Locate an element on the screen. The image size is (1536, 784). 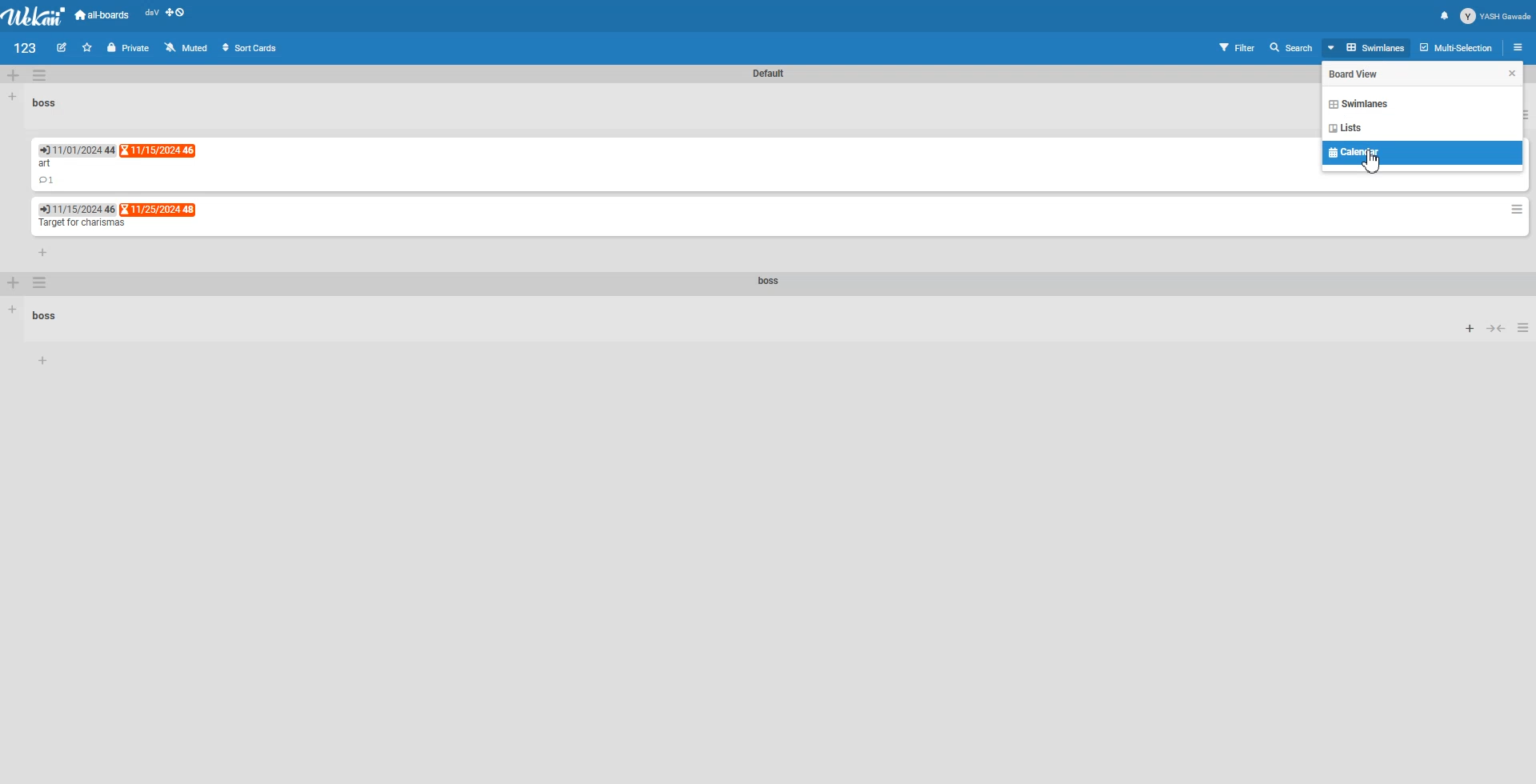
End Date is located at coordinates (159, 209).